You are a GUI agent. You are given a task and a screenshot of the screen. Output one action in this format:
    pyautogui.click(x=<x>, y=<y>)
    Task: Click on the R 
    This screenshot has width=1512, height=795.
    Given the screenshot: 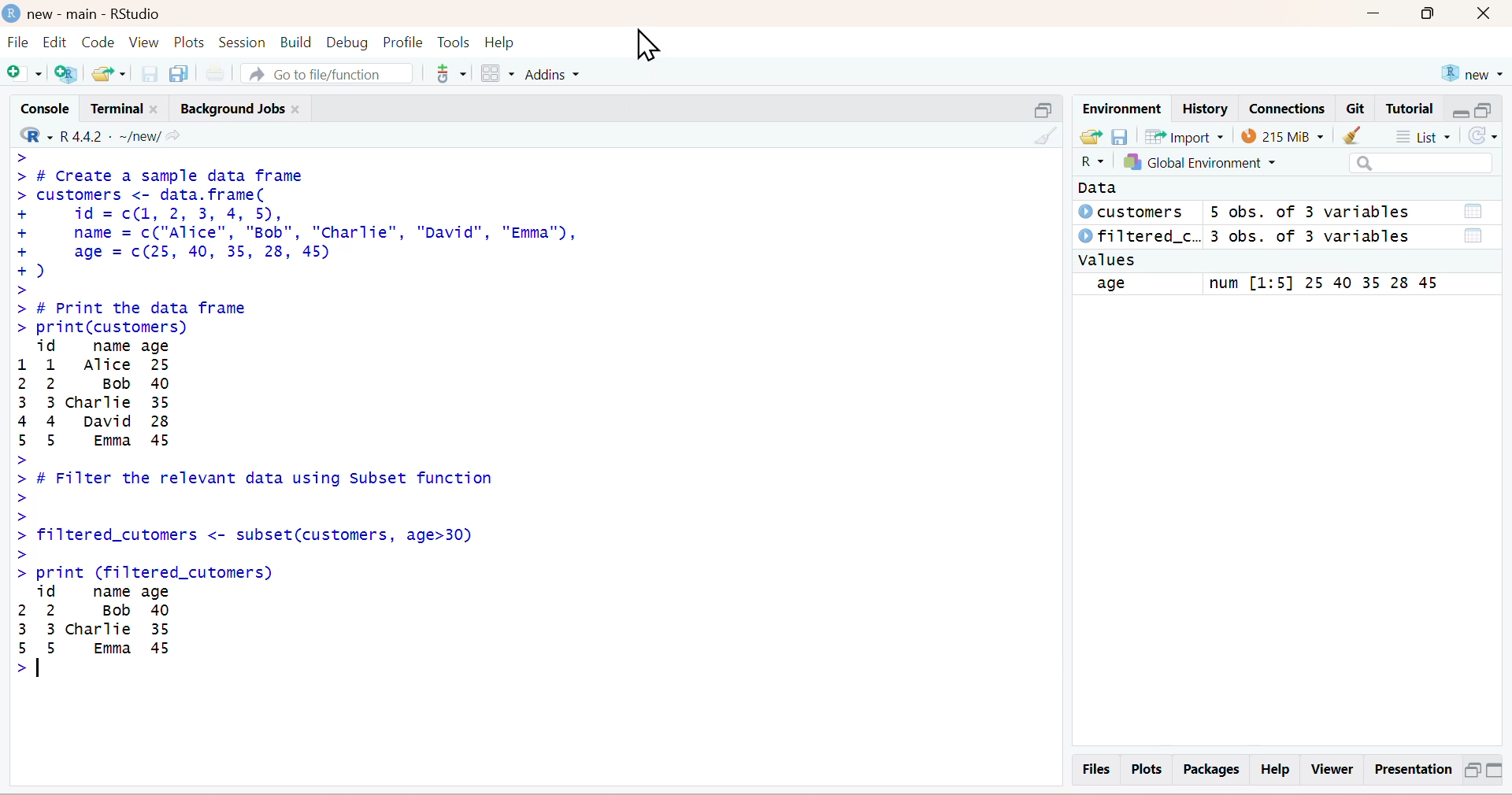 What is the action you would take?
    pyautogui.click(x=1086, y=164)
    